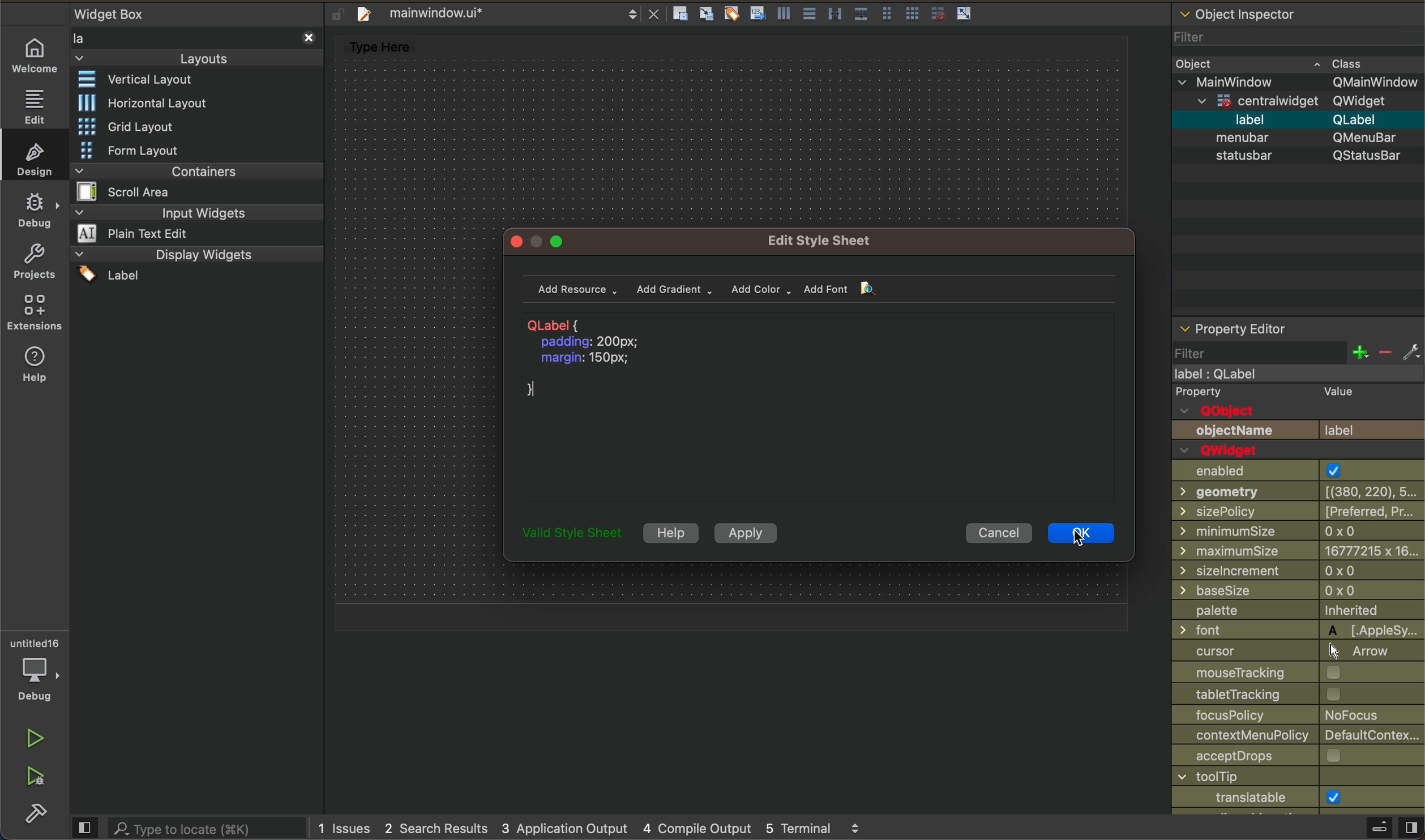 The width and height of the screenshot is (1425, 840). I want to click on mouse tracking, so click(1282, 674).